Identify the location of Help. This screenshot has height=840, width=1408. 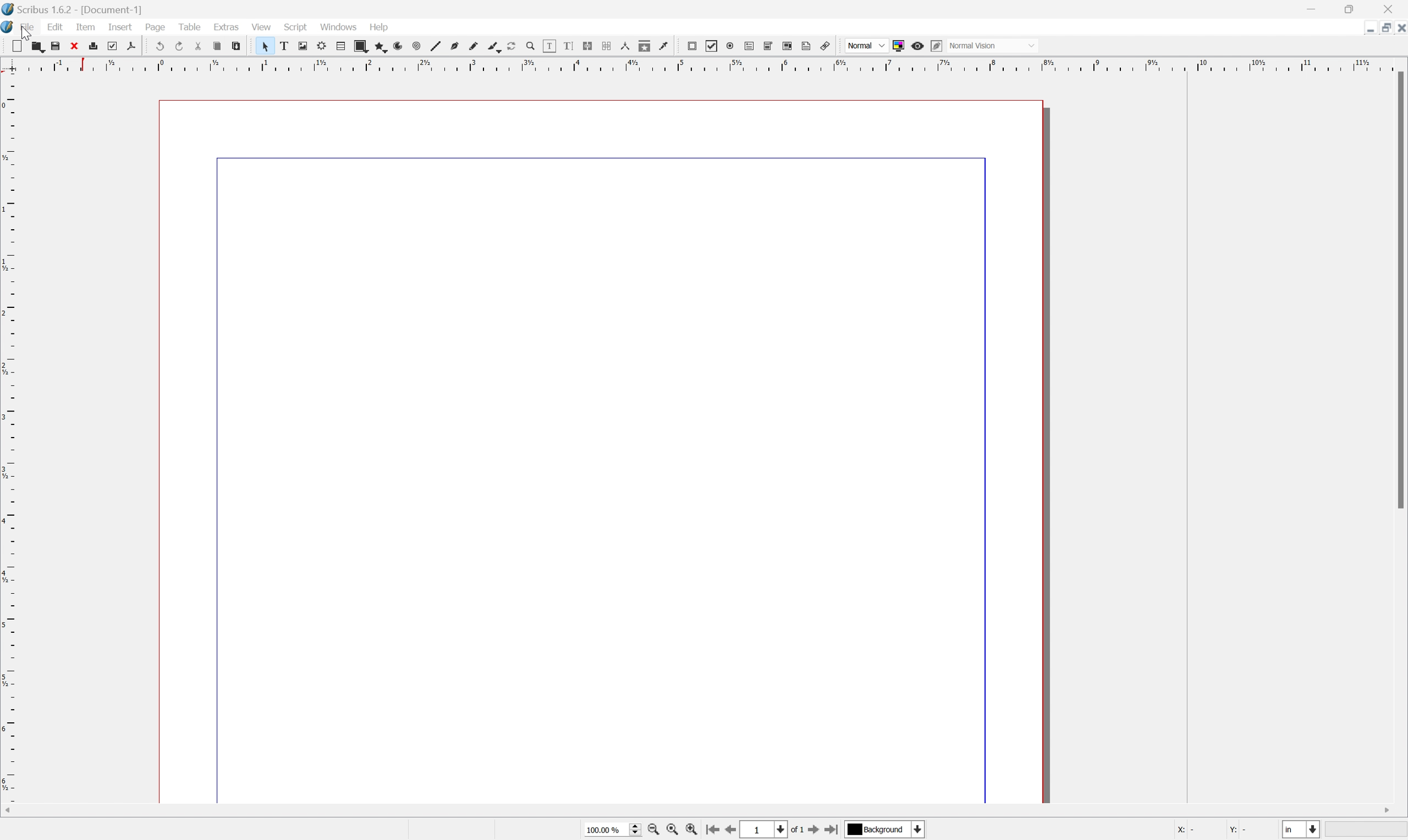
(378, 27).